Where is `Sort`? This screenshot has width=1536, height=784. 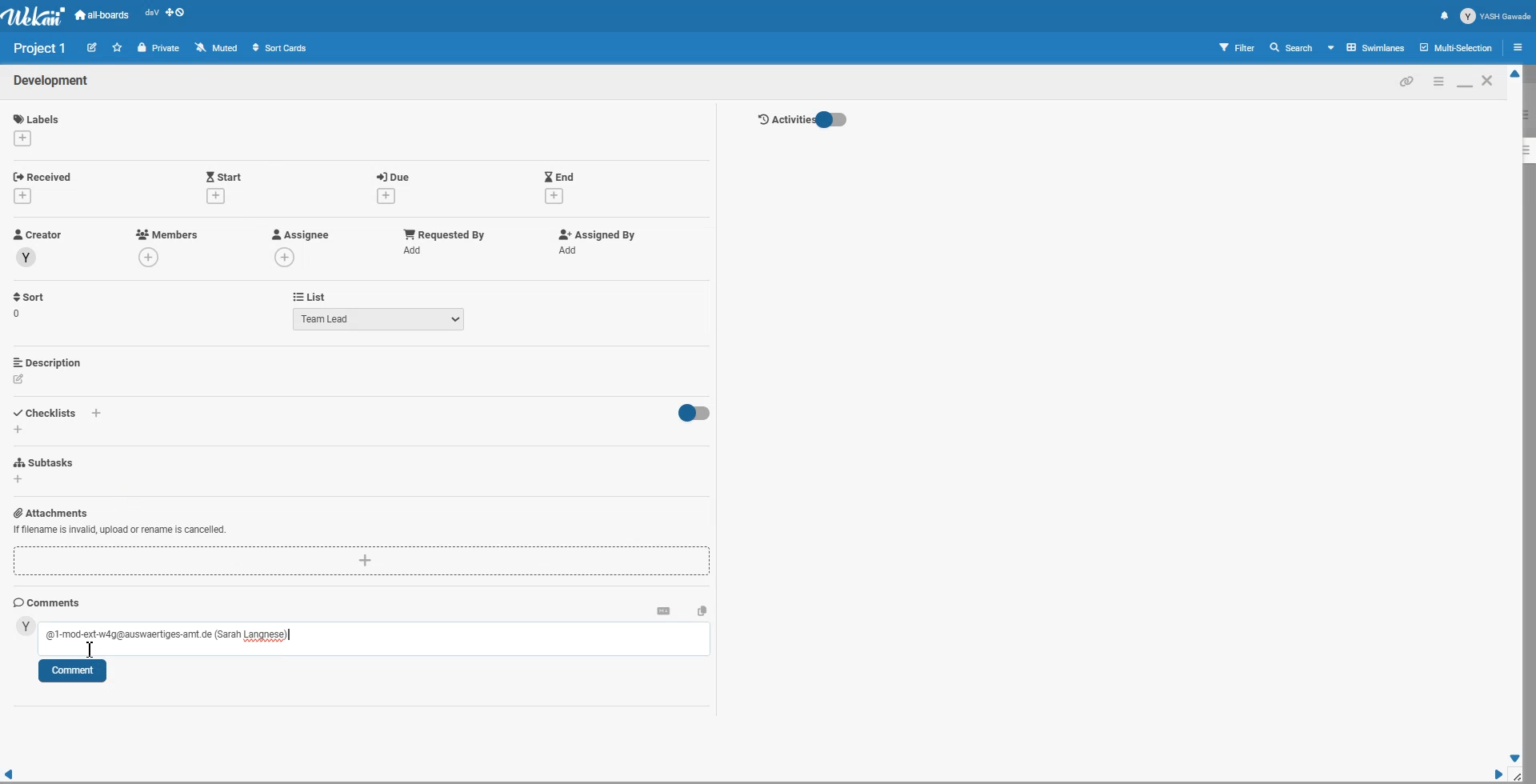 Sort is located at coordinates (30, 305).